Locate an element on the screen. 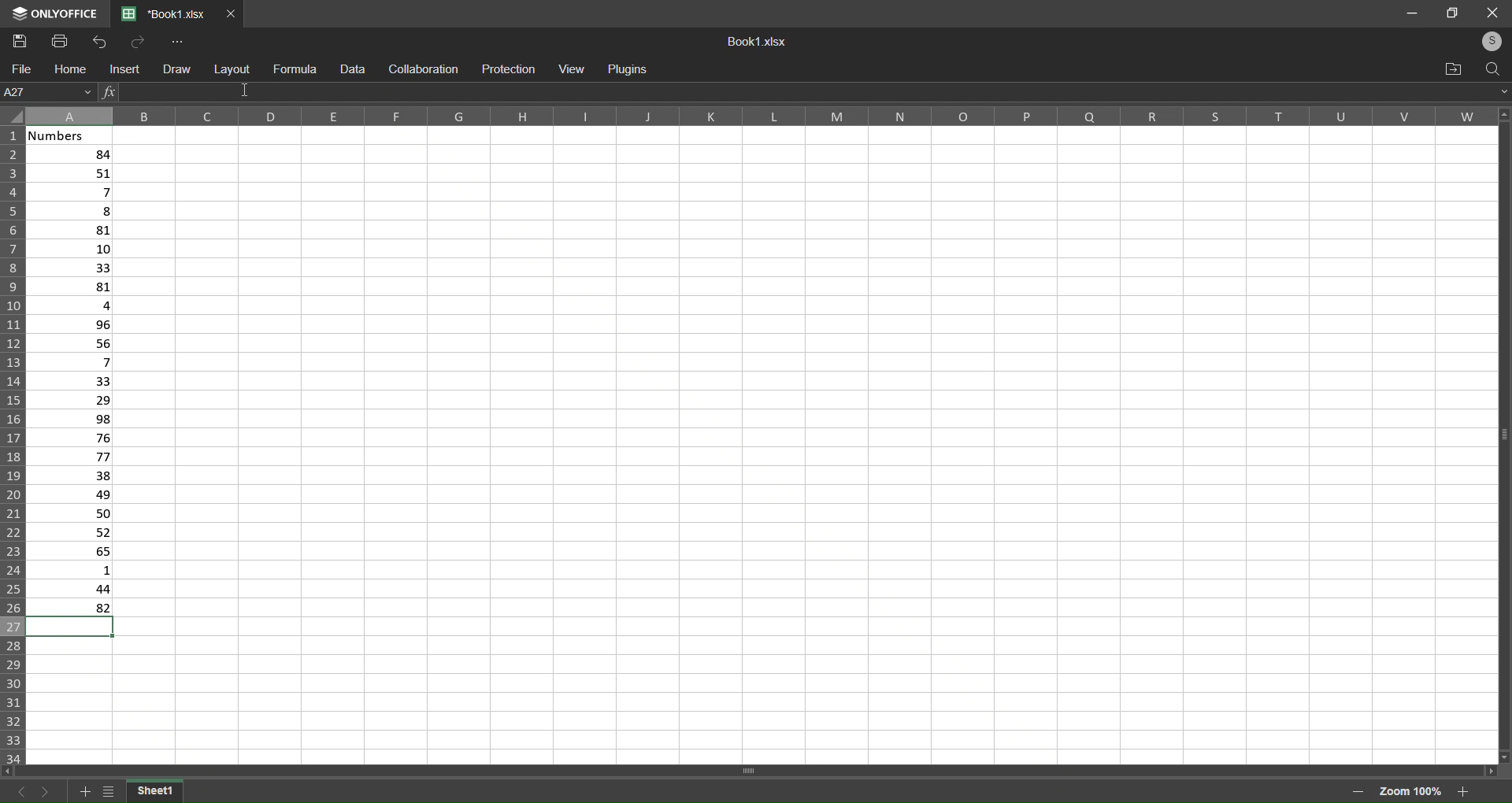  zoom in is located at coordinates (1467, 791).